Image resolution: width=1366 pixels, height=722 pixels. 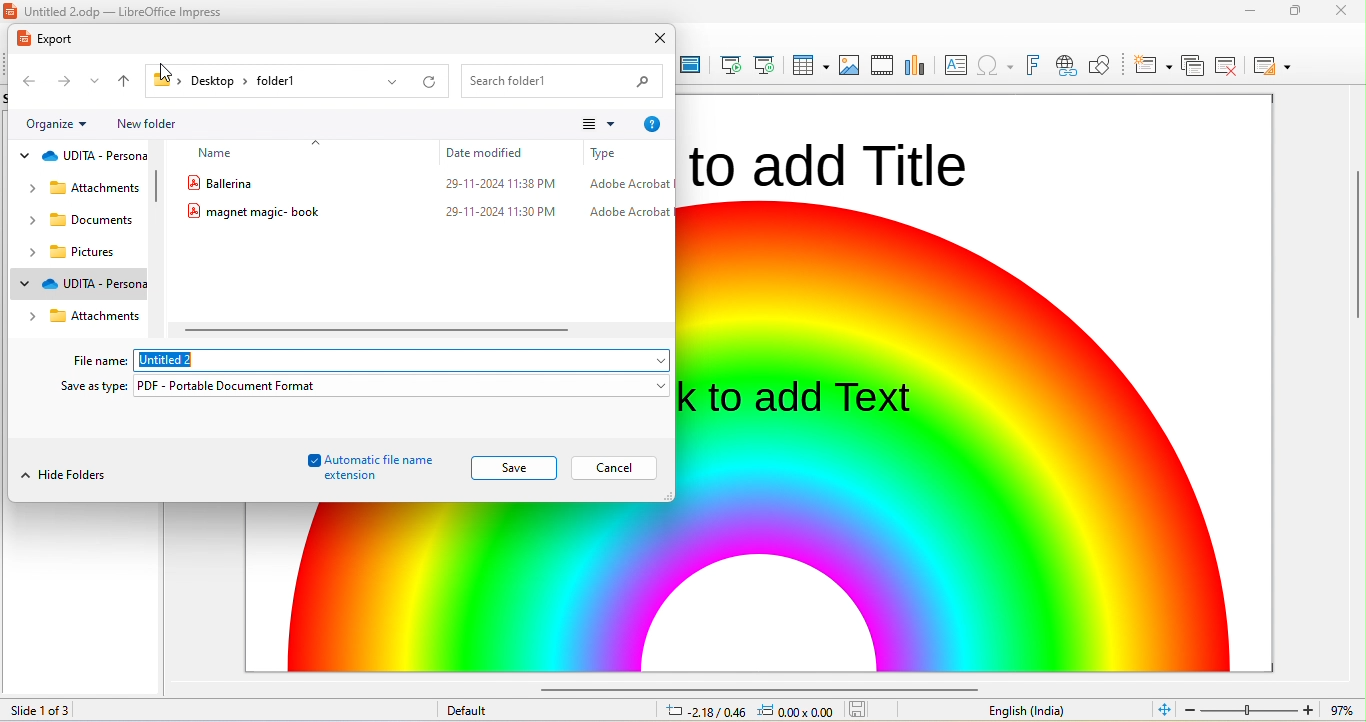 I want to click on minimize, so click(x=1296, y=13).